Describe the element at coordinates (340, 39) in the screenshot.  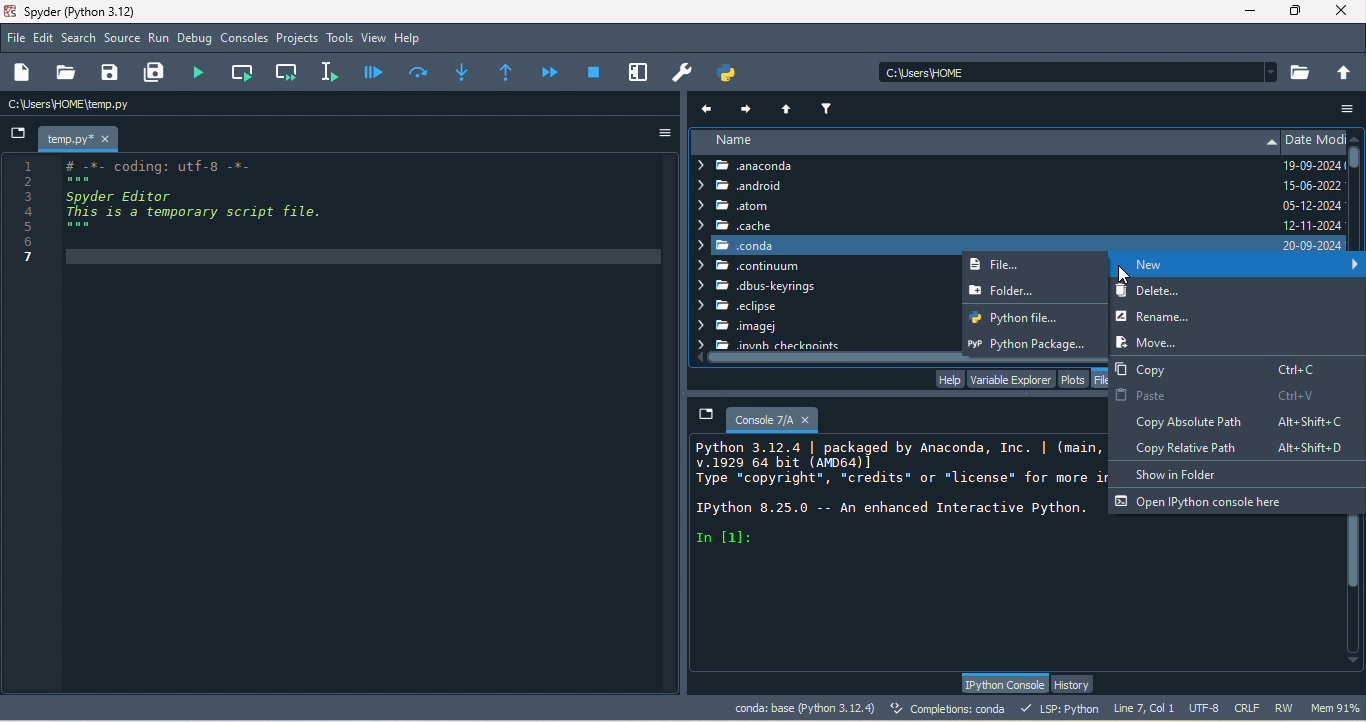
I see `tools` at that location.